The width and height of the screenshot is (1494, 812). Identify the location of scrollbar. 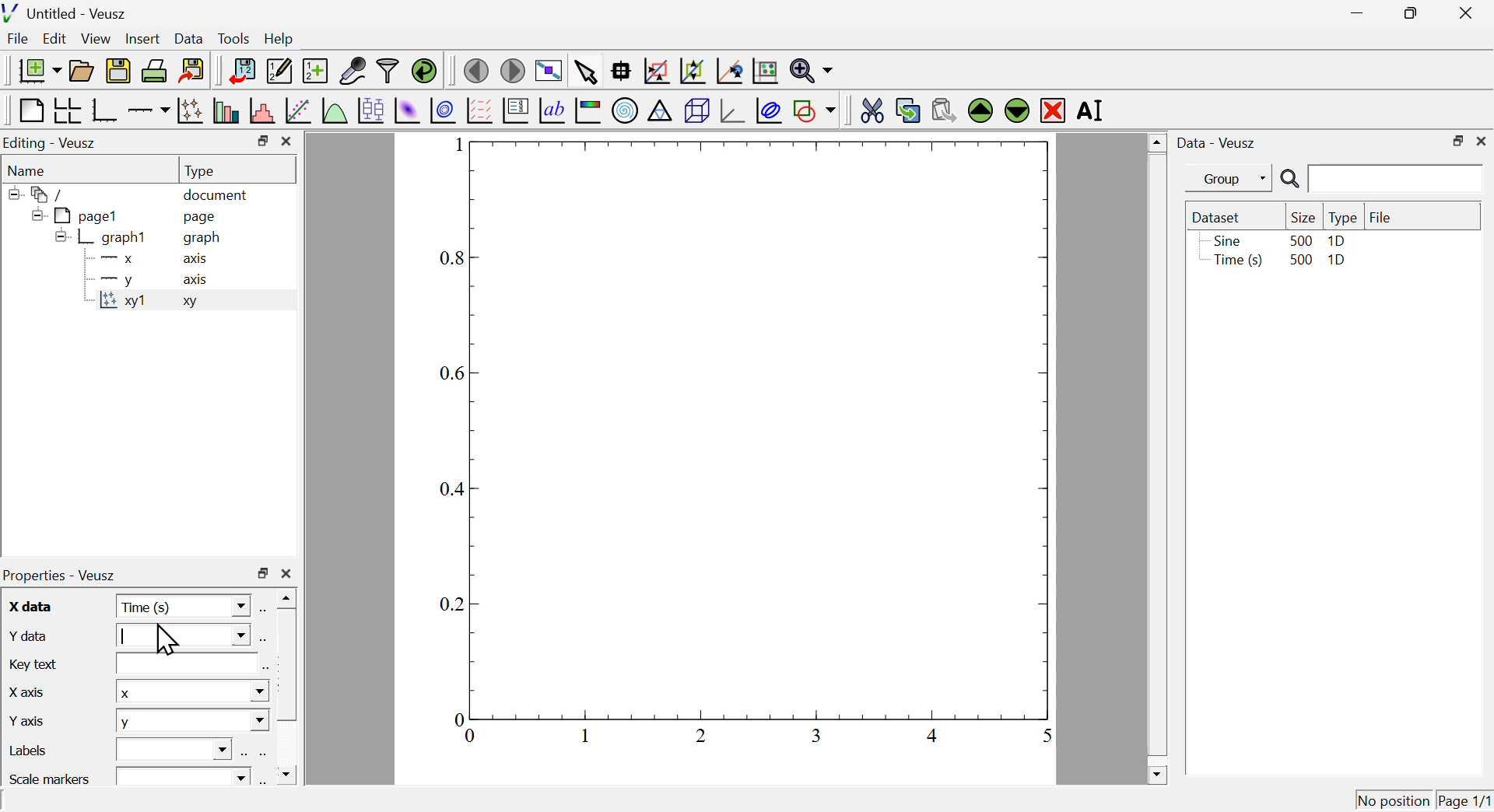
(287, 688).